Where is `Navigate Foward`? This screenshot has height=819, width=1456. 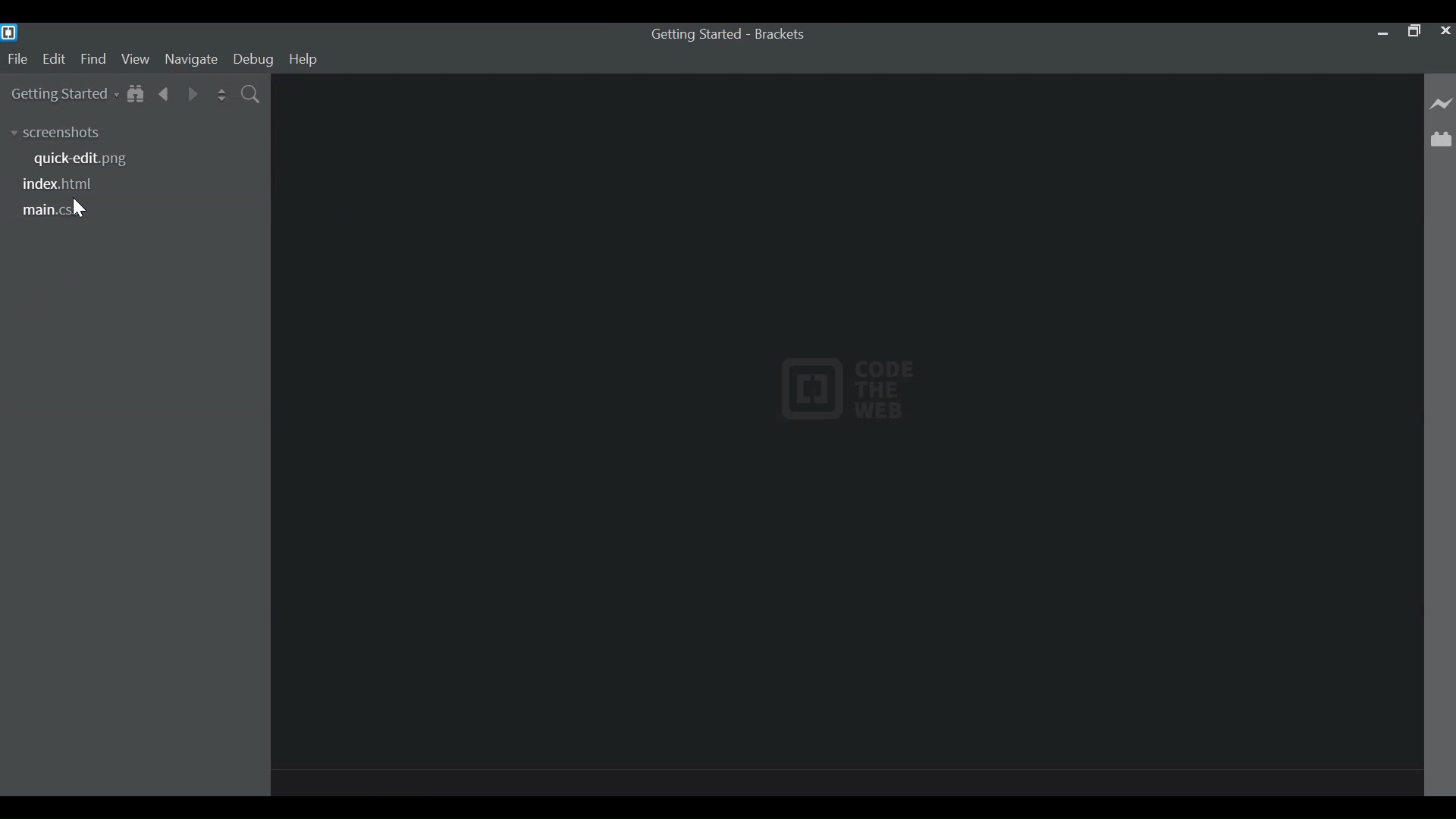
Navigate Foward is located at coordinates (193, 93).